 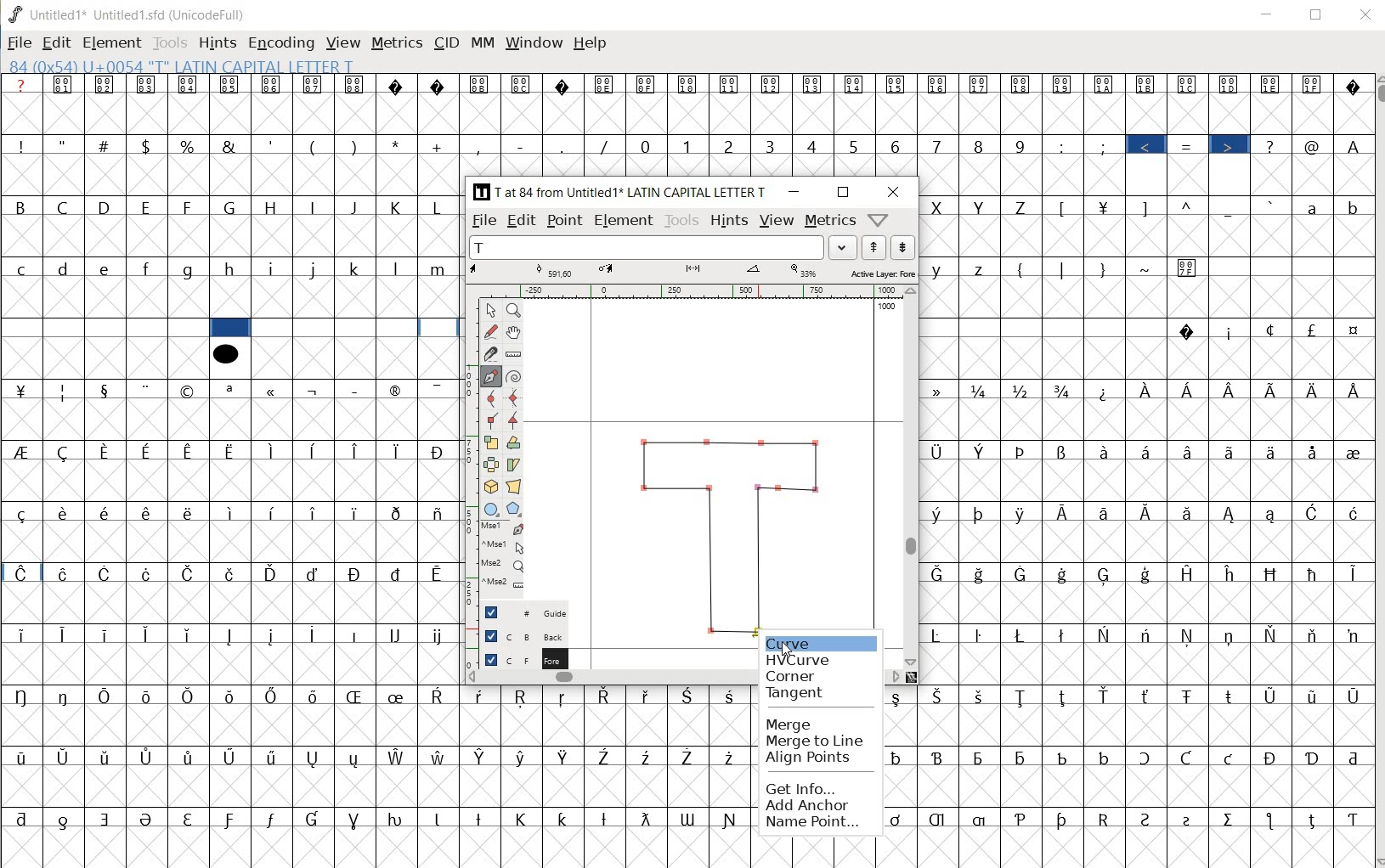 What do you see at coordinates (399, 85) in the screenshot?
I see `Symbol` at bounding box center [399, 85].